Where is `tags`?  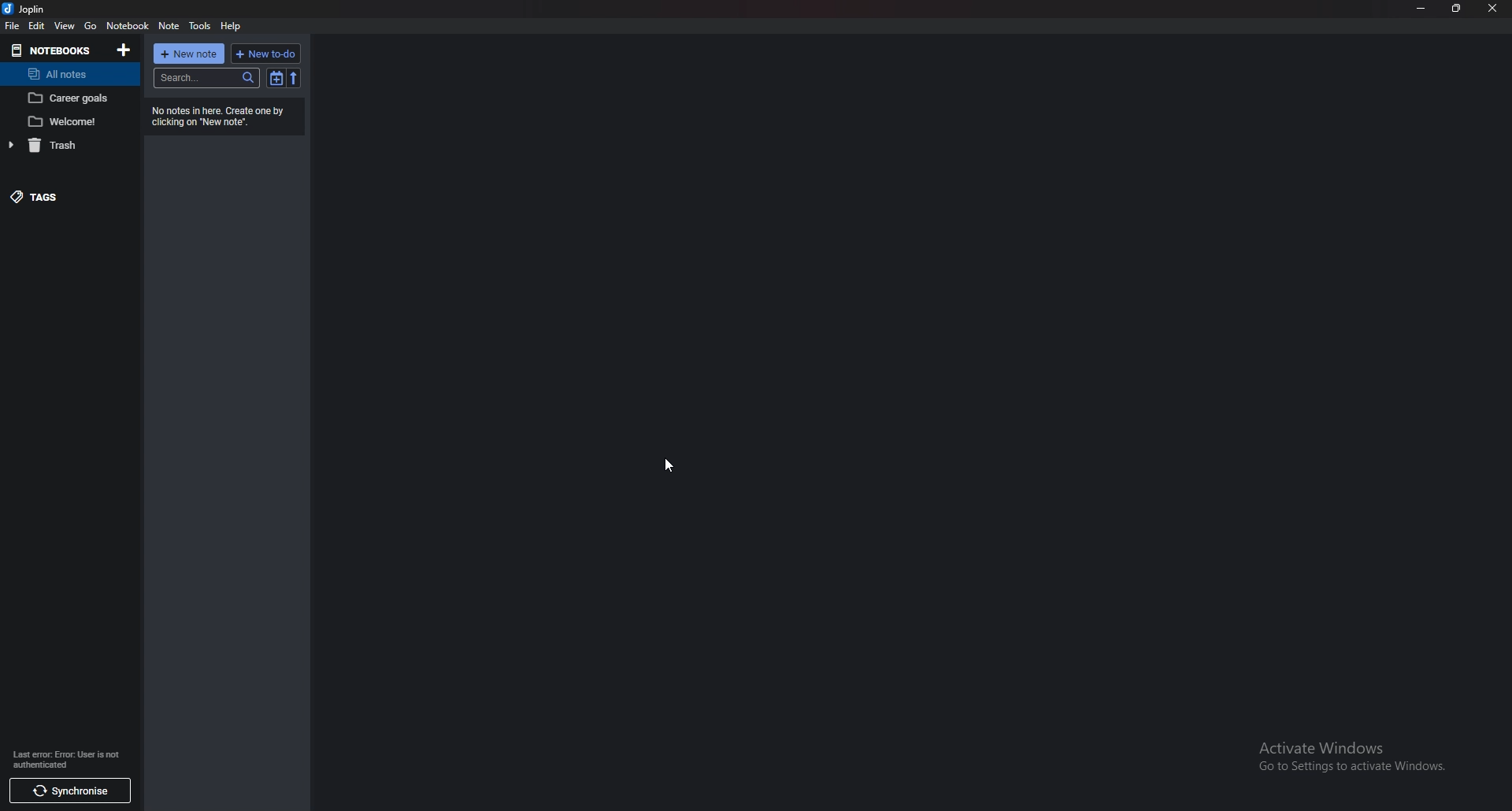 tags is located at coordinates (58, 195).